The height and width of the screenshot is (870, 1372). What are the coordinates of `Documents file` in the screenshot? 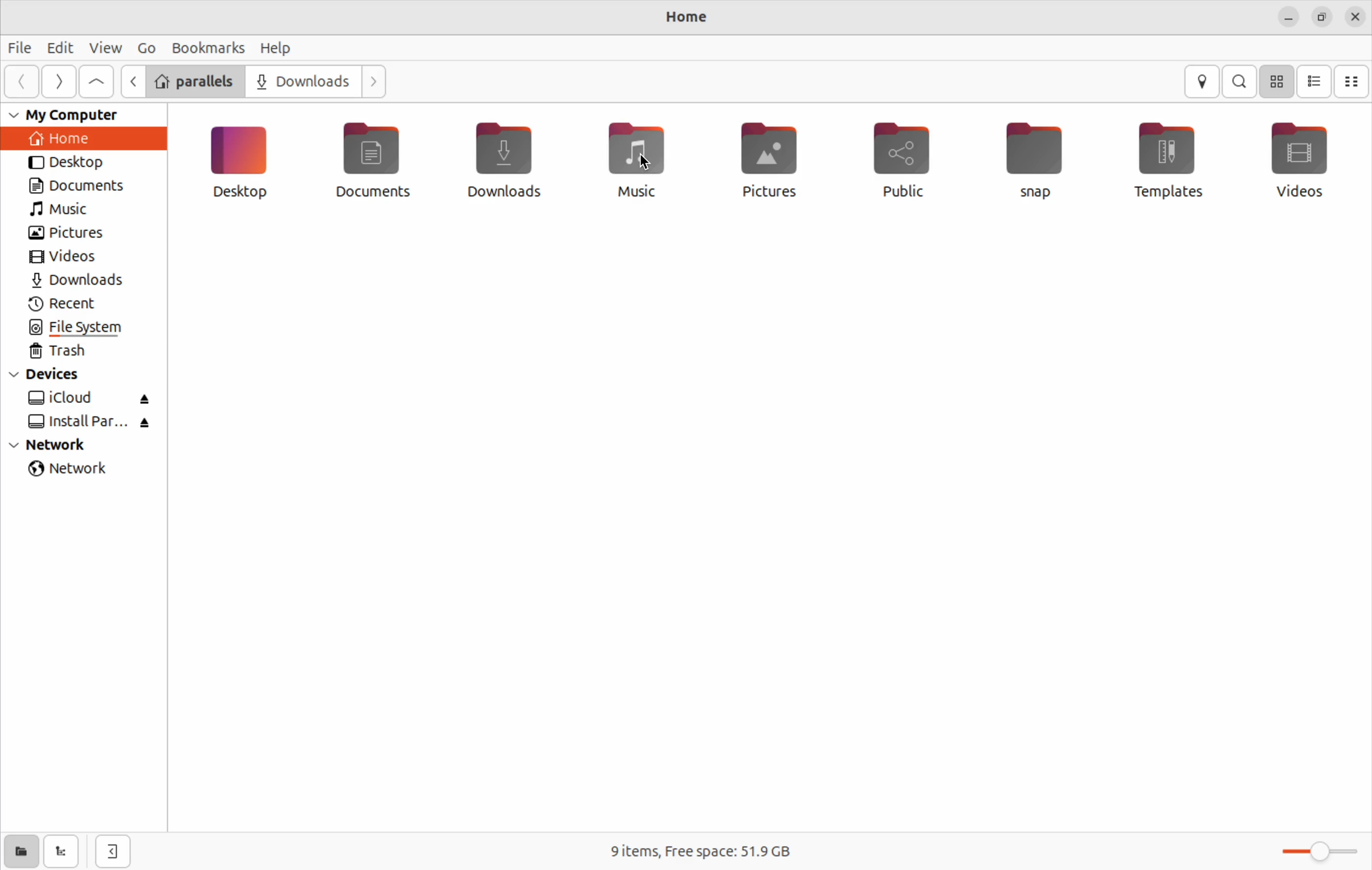 It's located at (378, 162).